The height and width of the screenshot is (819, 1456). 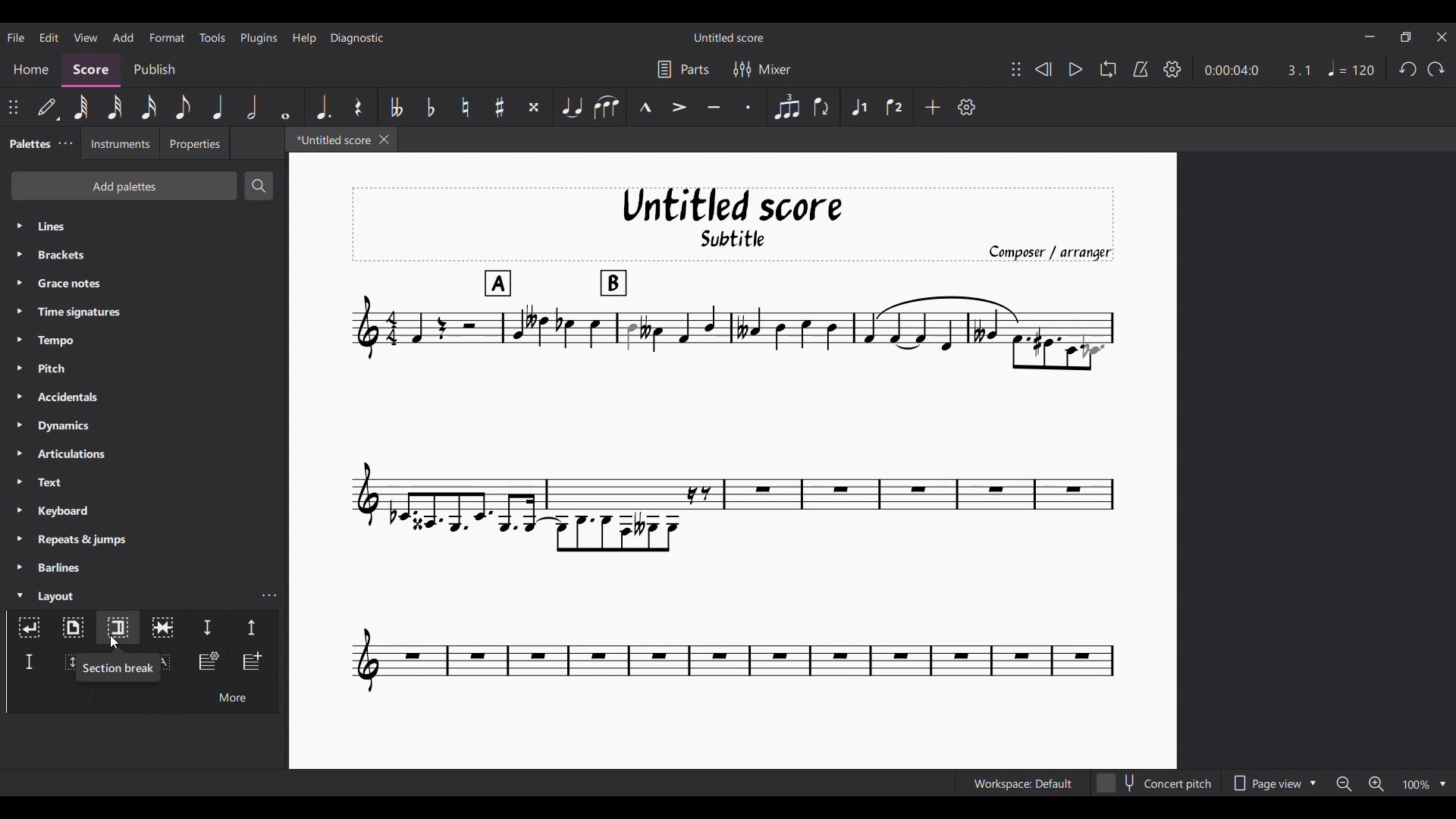 I want to click on Default, so click(x=48, y=107).